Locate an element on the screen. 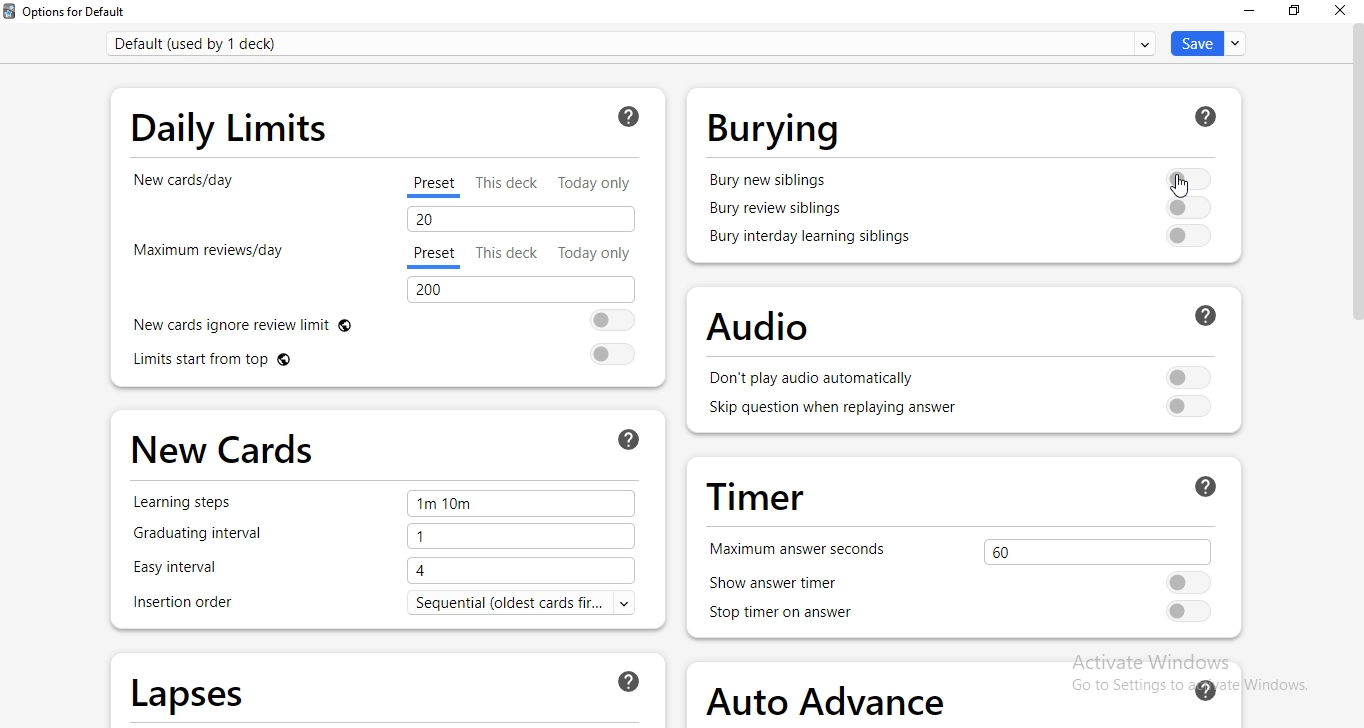 Image resolution: width=1364 pixels, height=728 pixels.  is located at coordinates (1188, 206).